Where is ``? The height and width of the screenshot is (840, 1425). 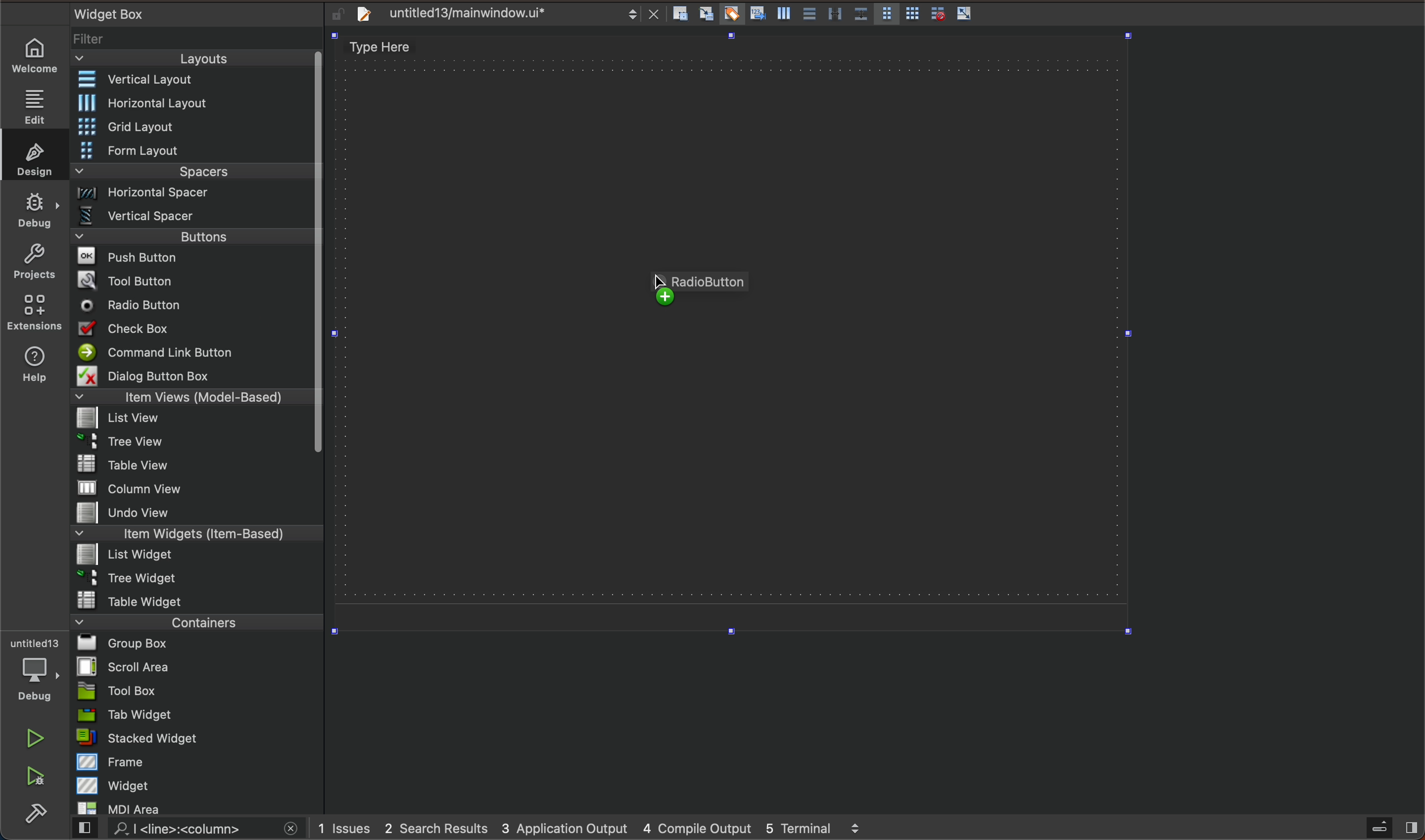  is located at coordinates (835, 15).